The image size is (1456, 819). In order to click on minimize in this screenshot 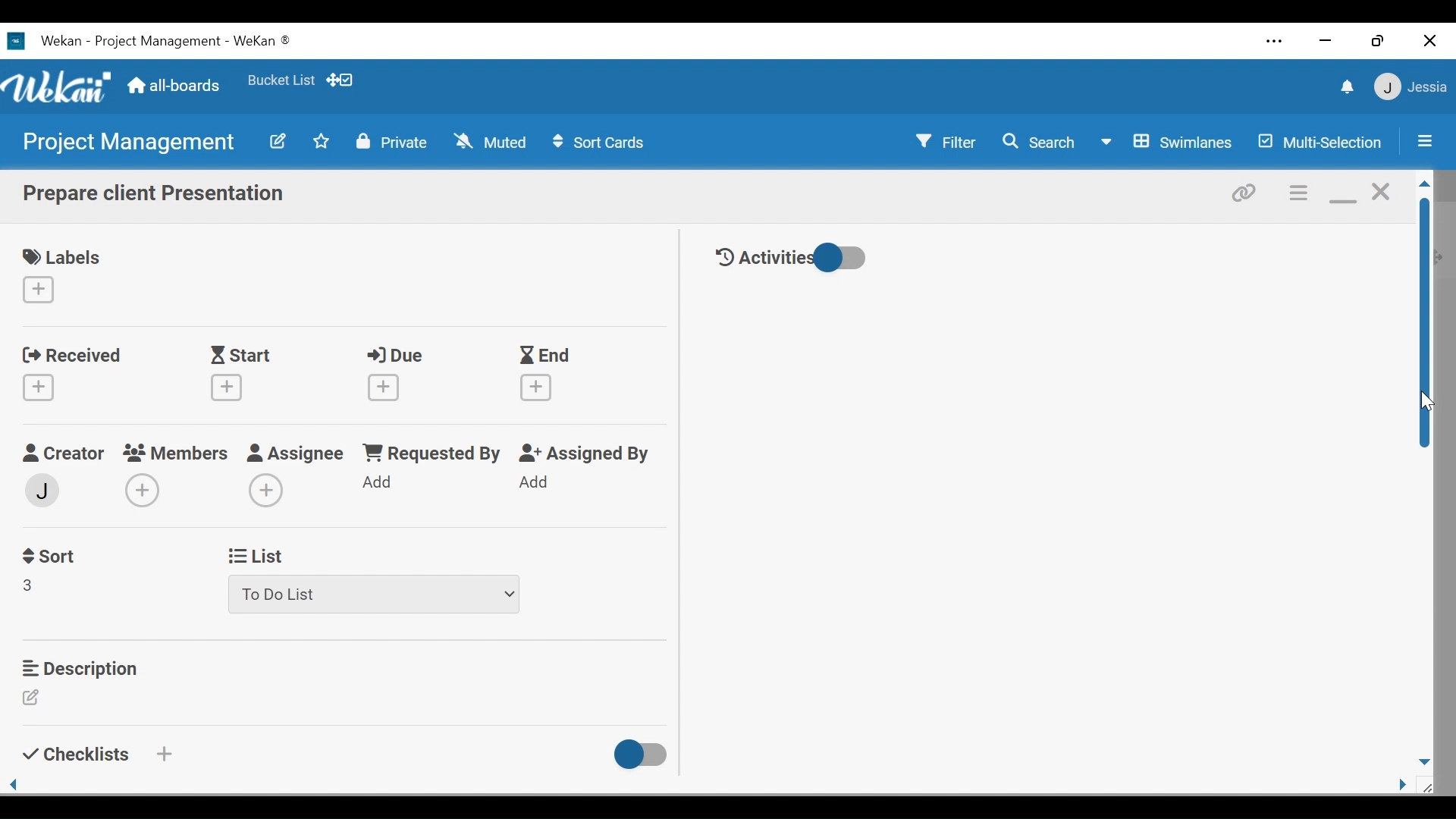, I will do `click(1343, 193)`.